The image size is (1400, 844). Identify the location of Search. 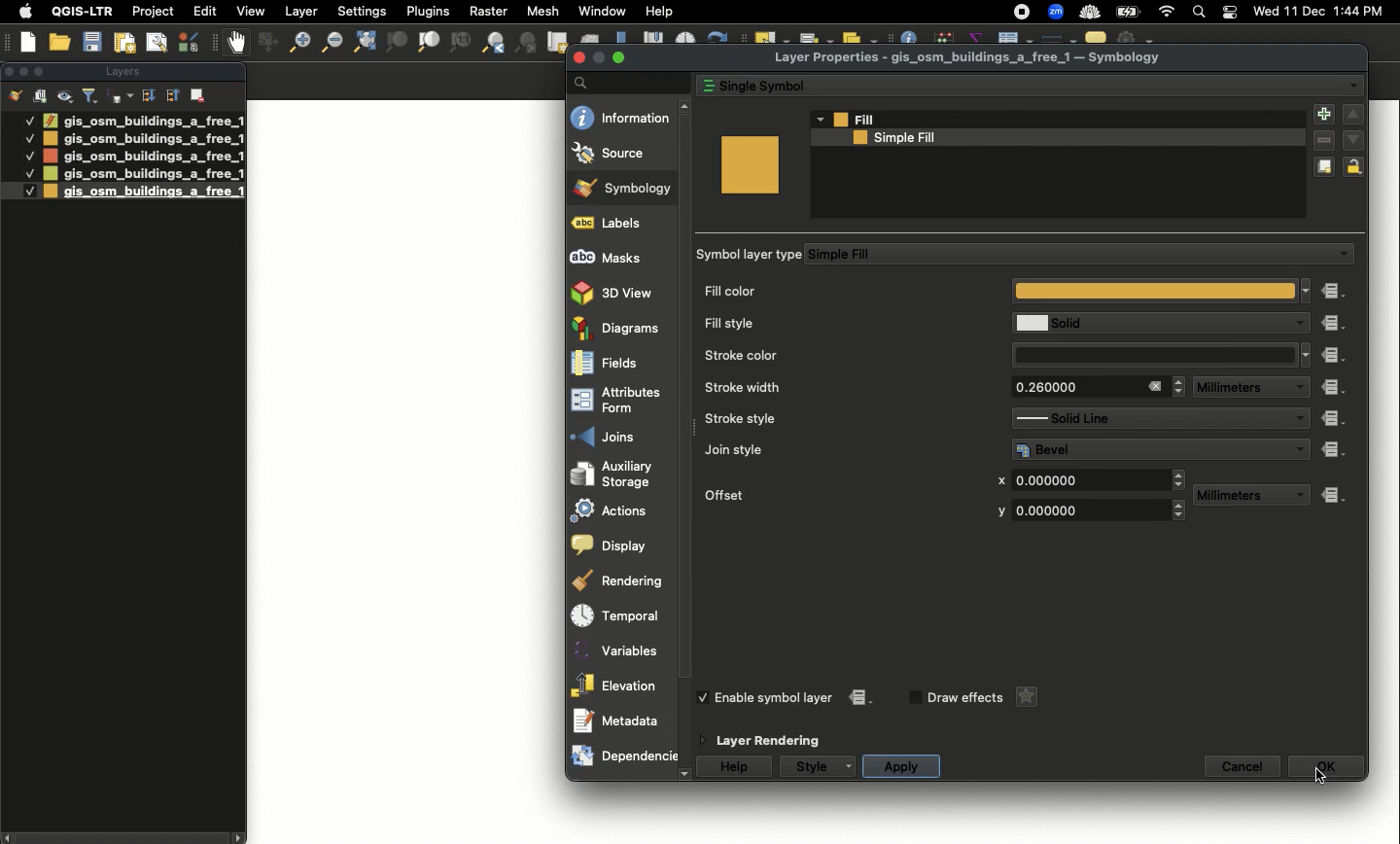
(1197, 14).